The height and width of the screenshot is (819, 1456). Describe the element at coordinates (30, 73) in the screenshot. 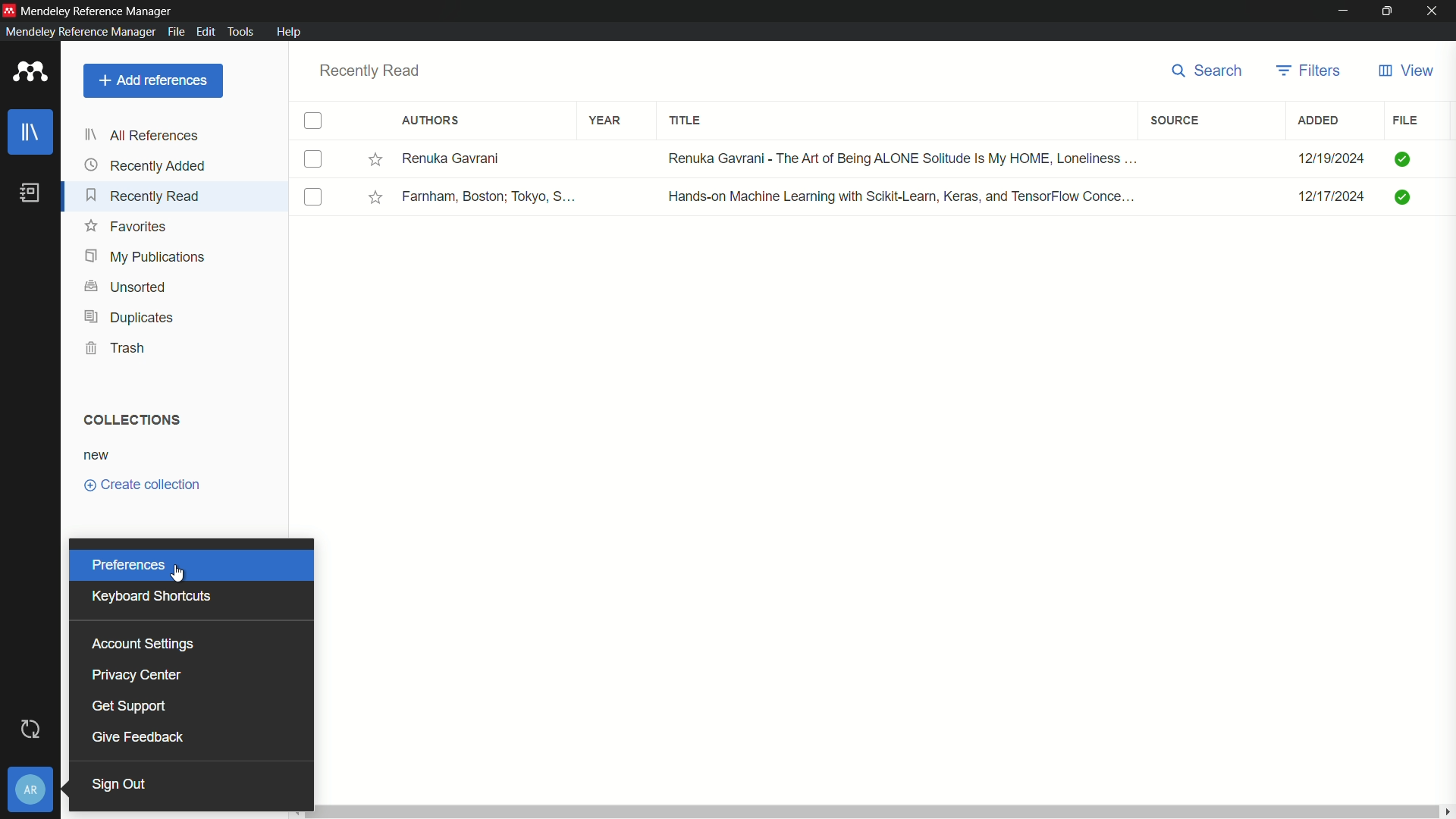

I see `app icon` at that location.